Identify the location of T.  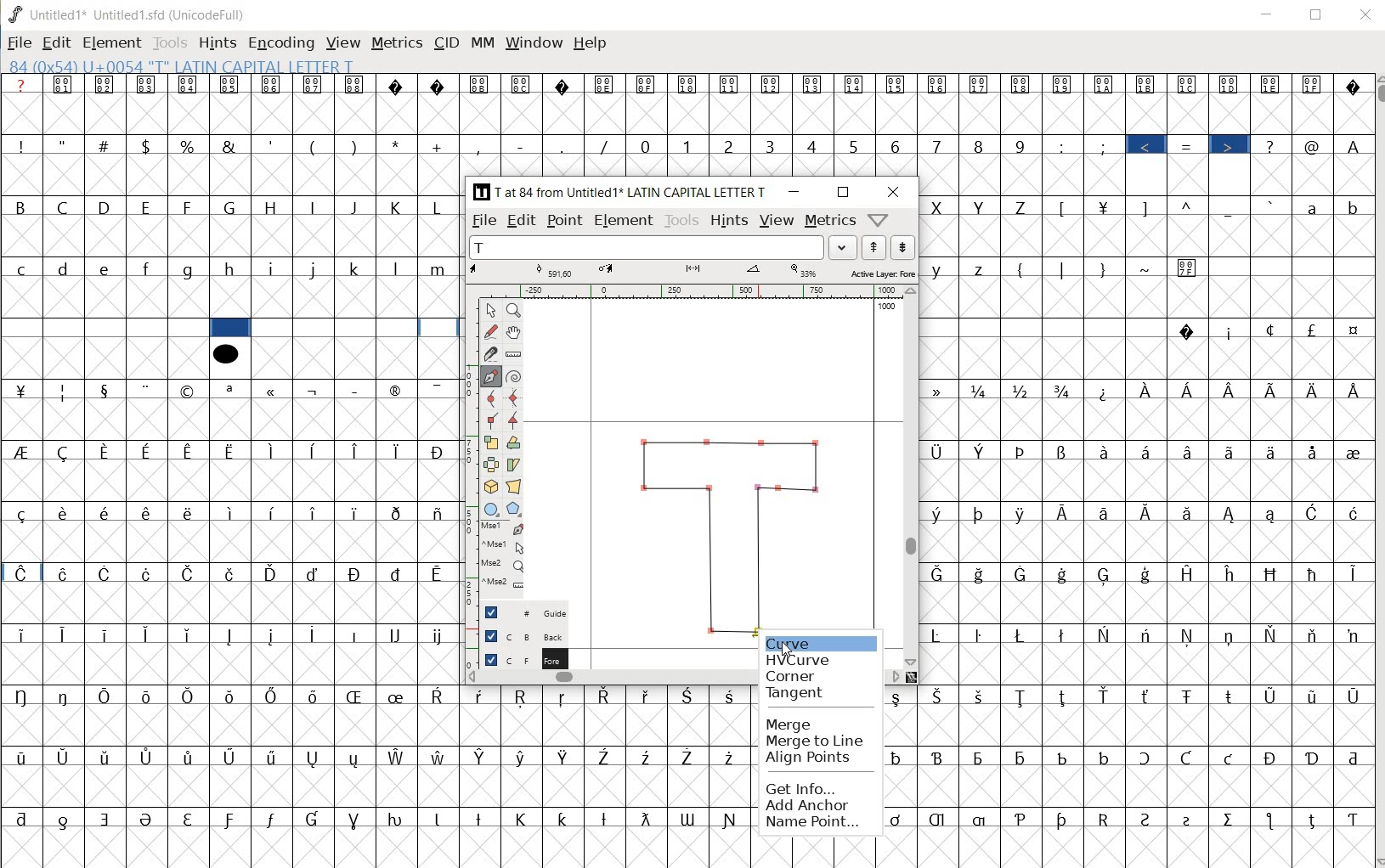
(647, 247).